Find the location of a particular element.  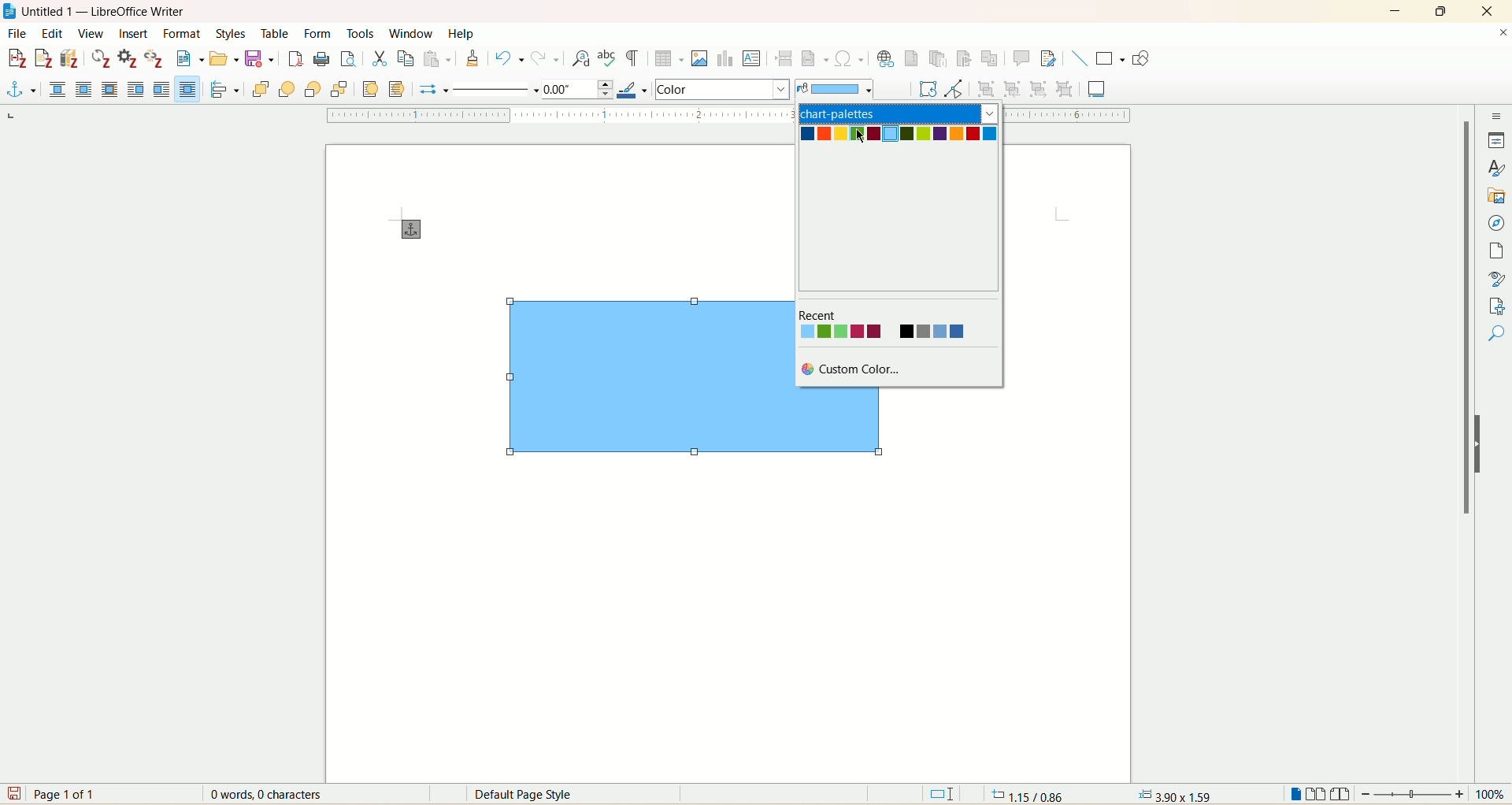

insert endnote is located at coordinates (939, 59).